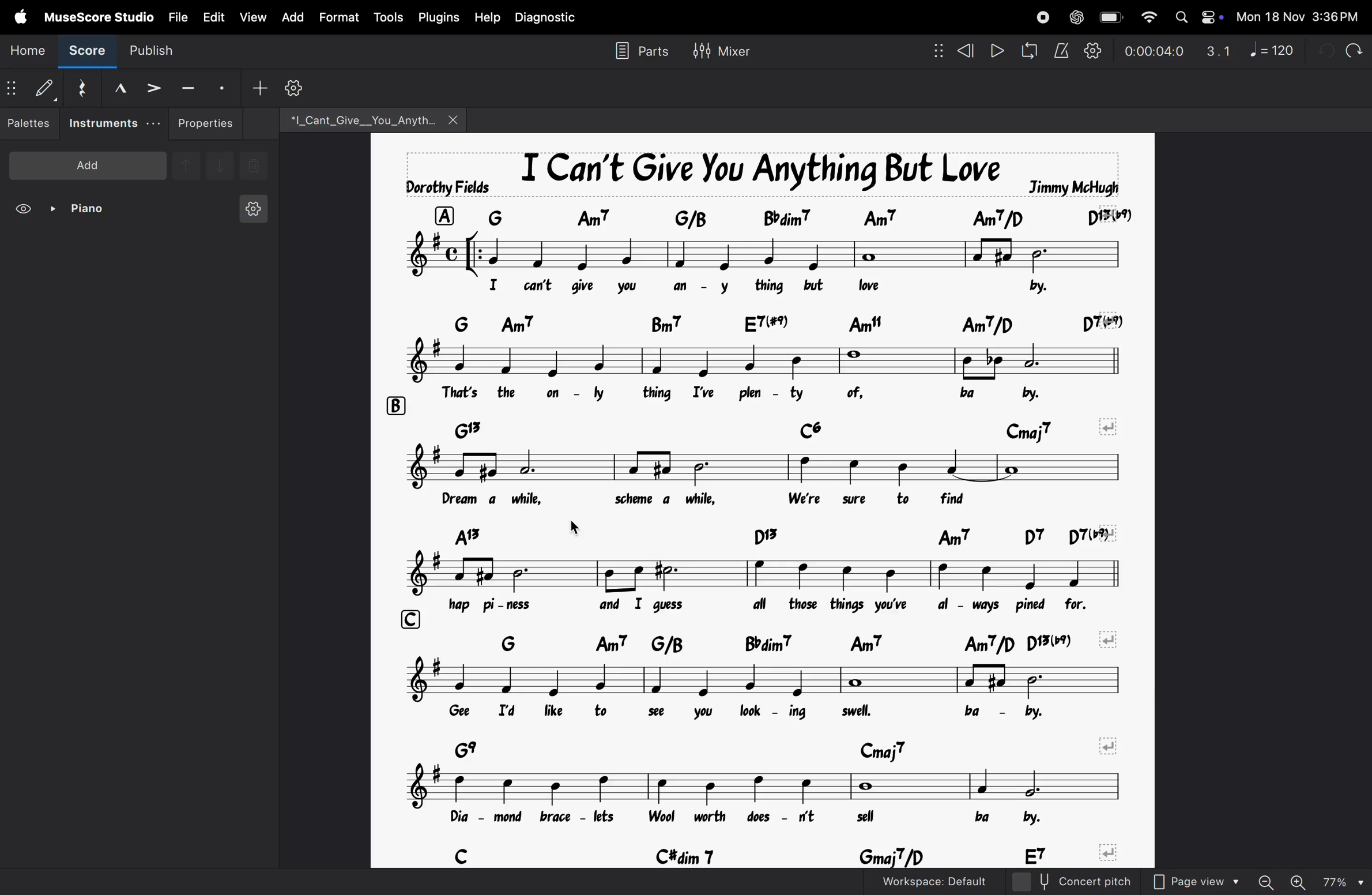 The height and width of the screenshot is (895, 1372). What do you see at coordinates (803, 644) in the screenshot?
I see `chord symbols` at bounding box center [803, 644].